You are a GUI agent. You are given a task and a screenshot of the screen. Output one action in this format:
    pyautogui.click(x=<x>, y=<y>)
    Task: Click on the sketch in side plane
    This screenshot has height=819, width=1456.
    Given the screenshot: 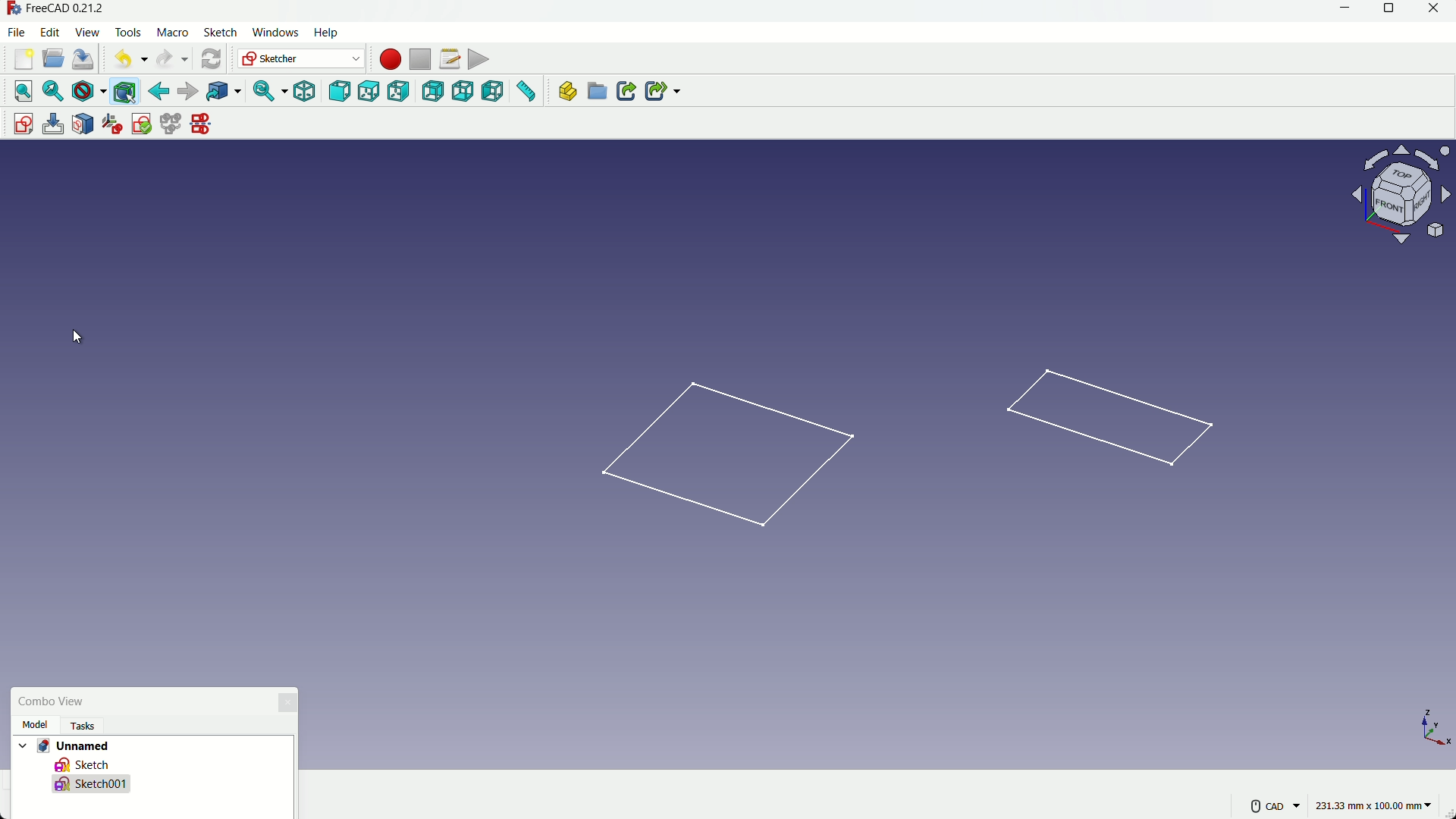 What is the action you would take?
    pyautogui.click(x=1095, y=416)
    